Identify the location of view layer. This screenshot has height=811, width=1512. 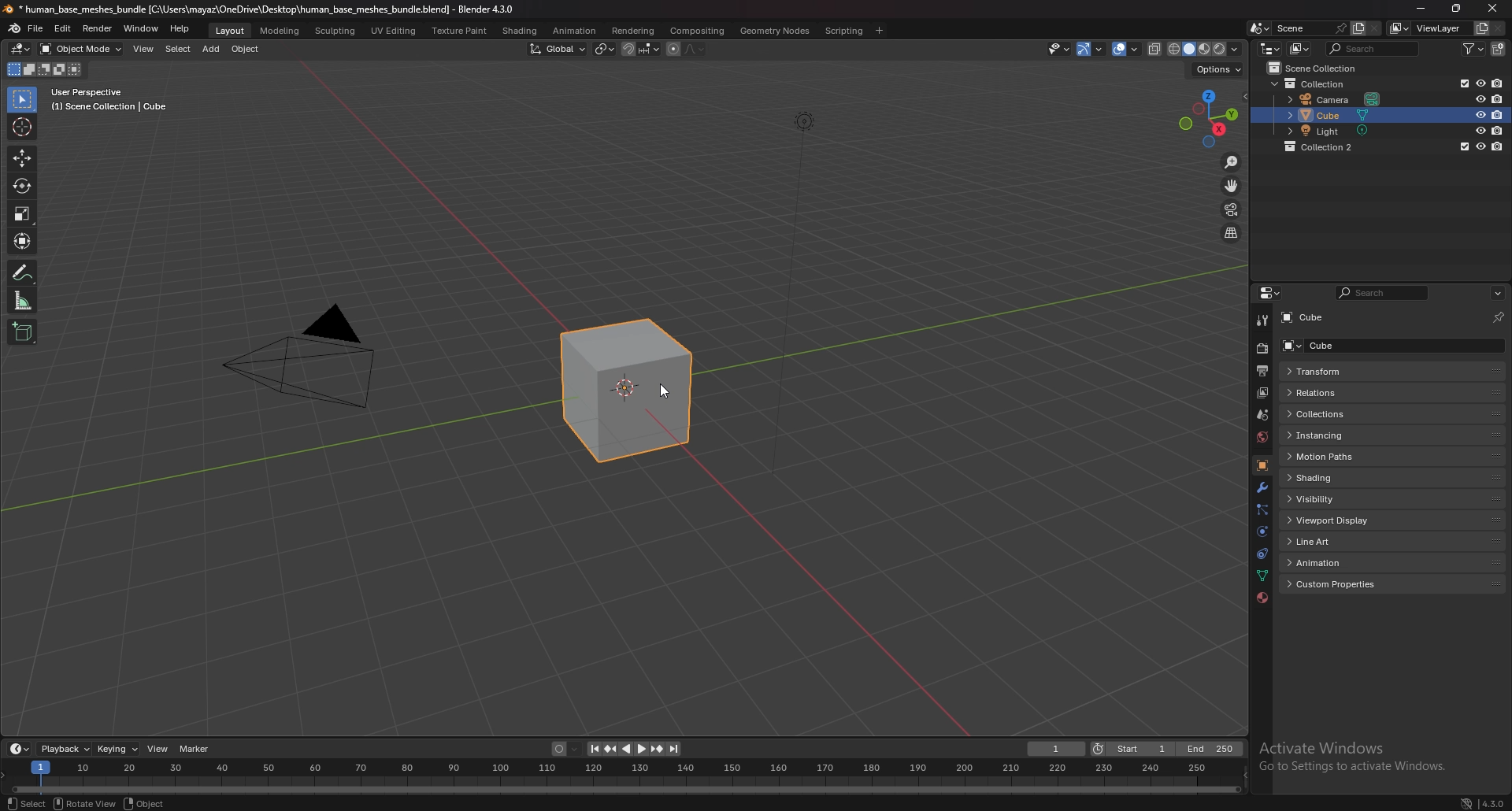
(1425, 28).